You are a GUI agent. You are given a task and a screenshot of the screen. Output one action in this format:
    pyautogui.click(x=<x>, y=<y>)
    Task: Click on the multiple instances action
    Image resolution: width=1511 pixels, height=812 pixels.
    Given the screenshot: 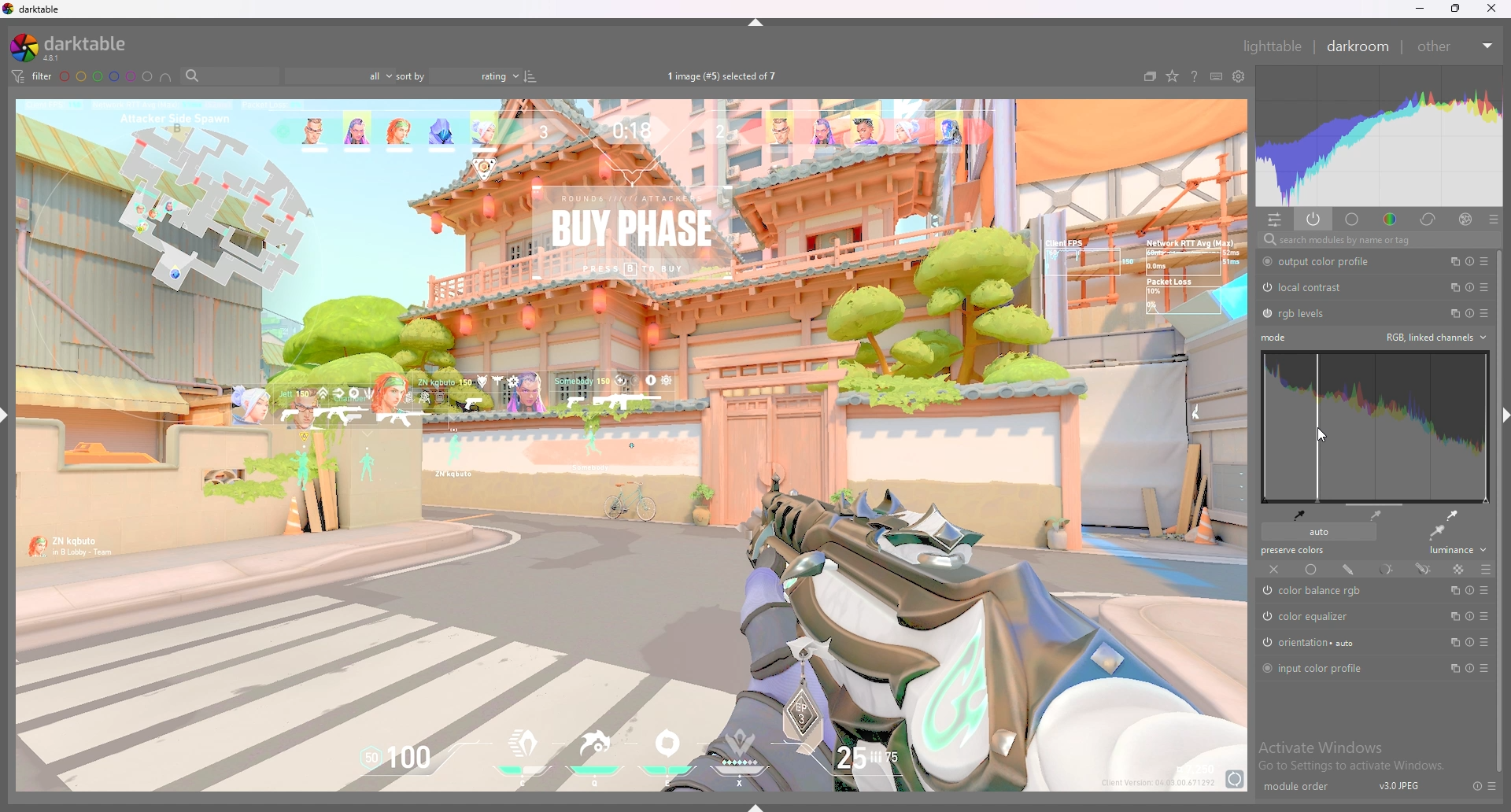 What is the action you would take?
    pyautogui.click(x=1452, y=312)
    